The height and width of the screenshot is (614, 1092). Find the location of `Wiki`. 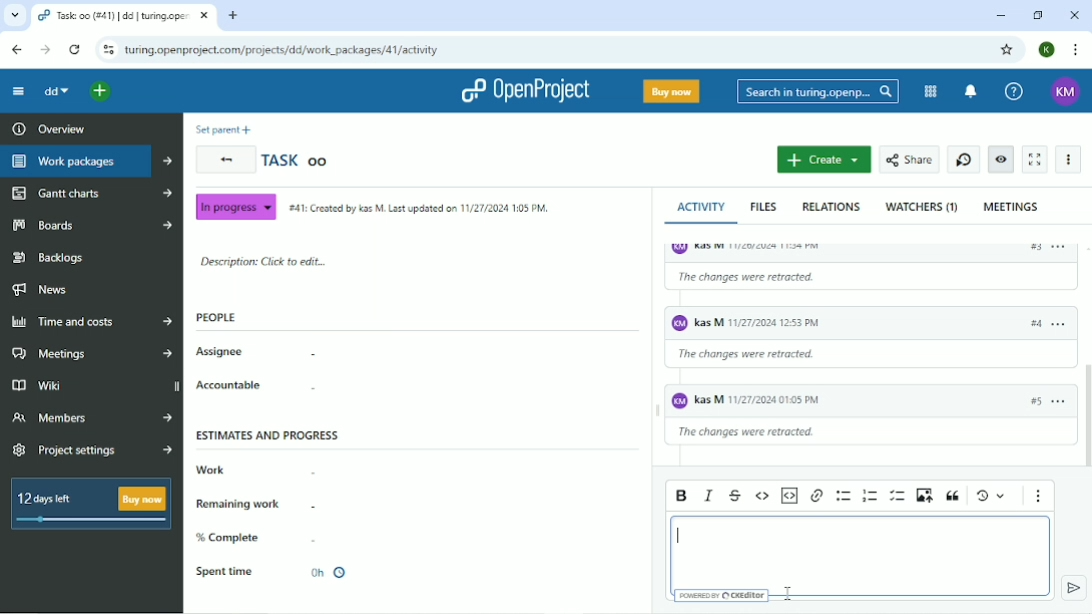

Wiki is located at coordinates (93, 386).